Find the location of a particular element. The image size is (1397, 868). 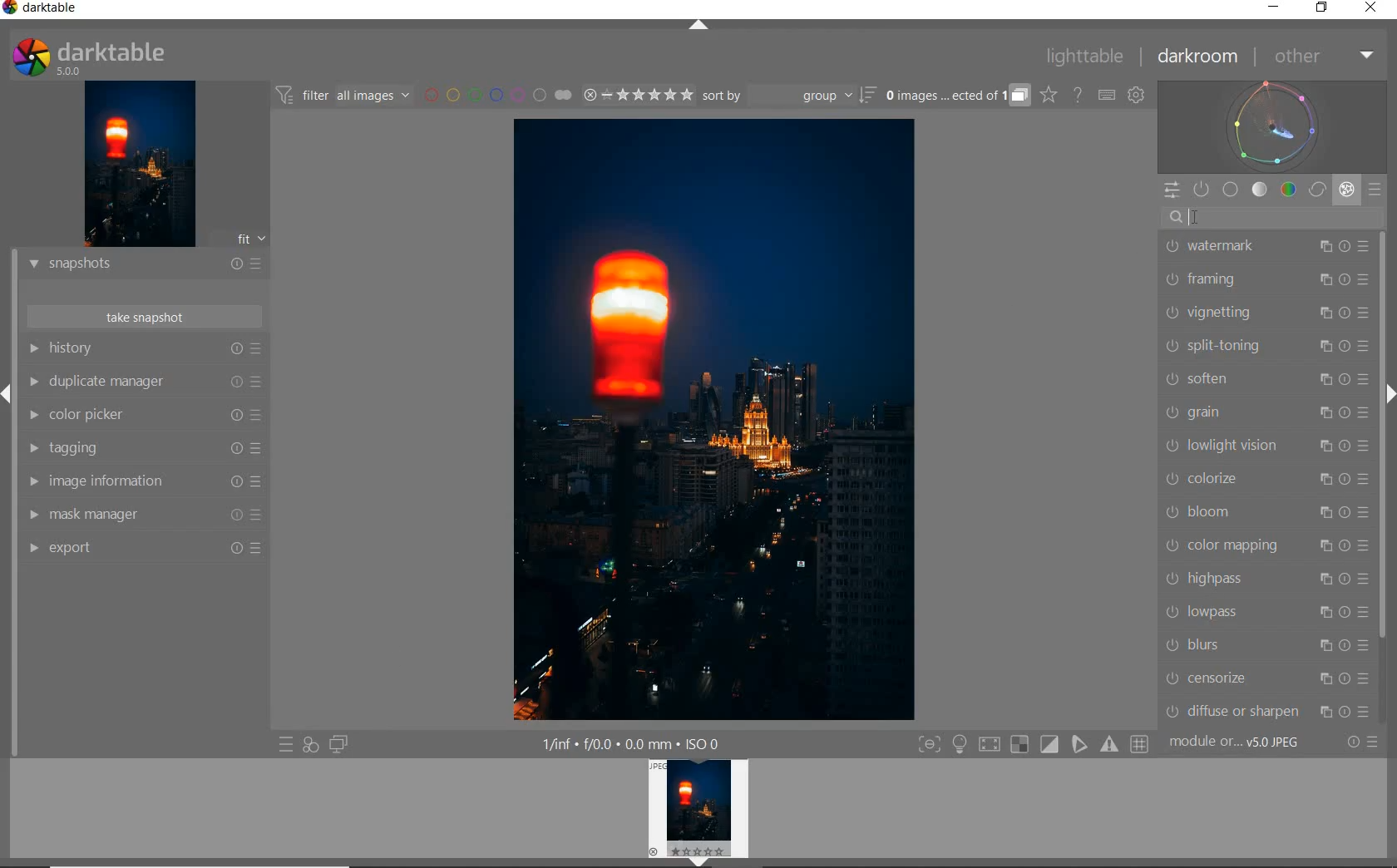

EXPORT is located at coordinates (111, 549).